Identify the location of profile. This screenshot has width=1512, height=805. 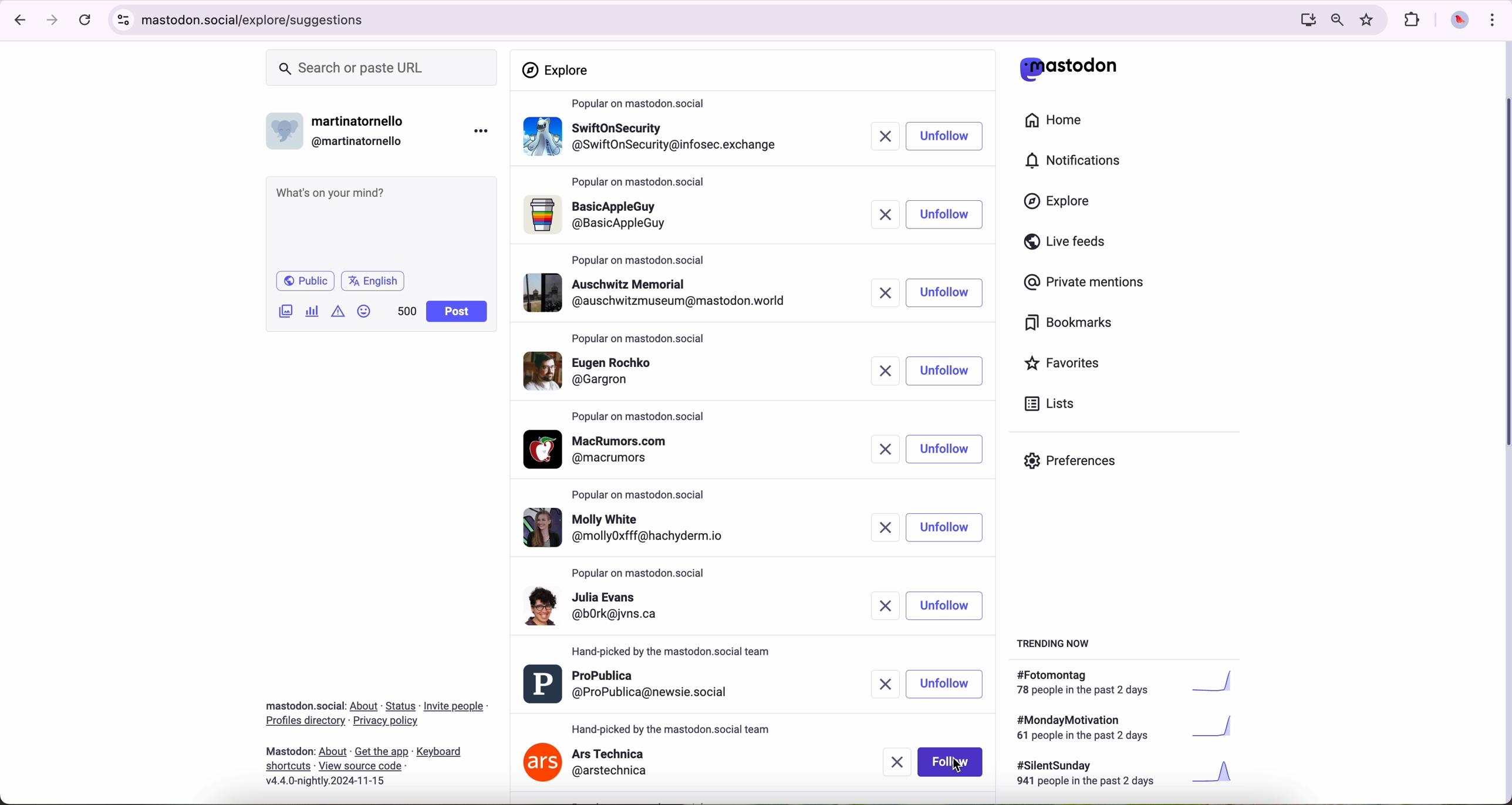
(629, 685).